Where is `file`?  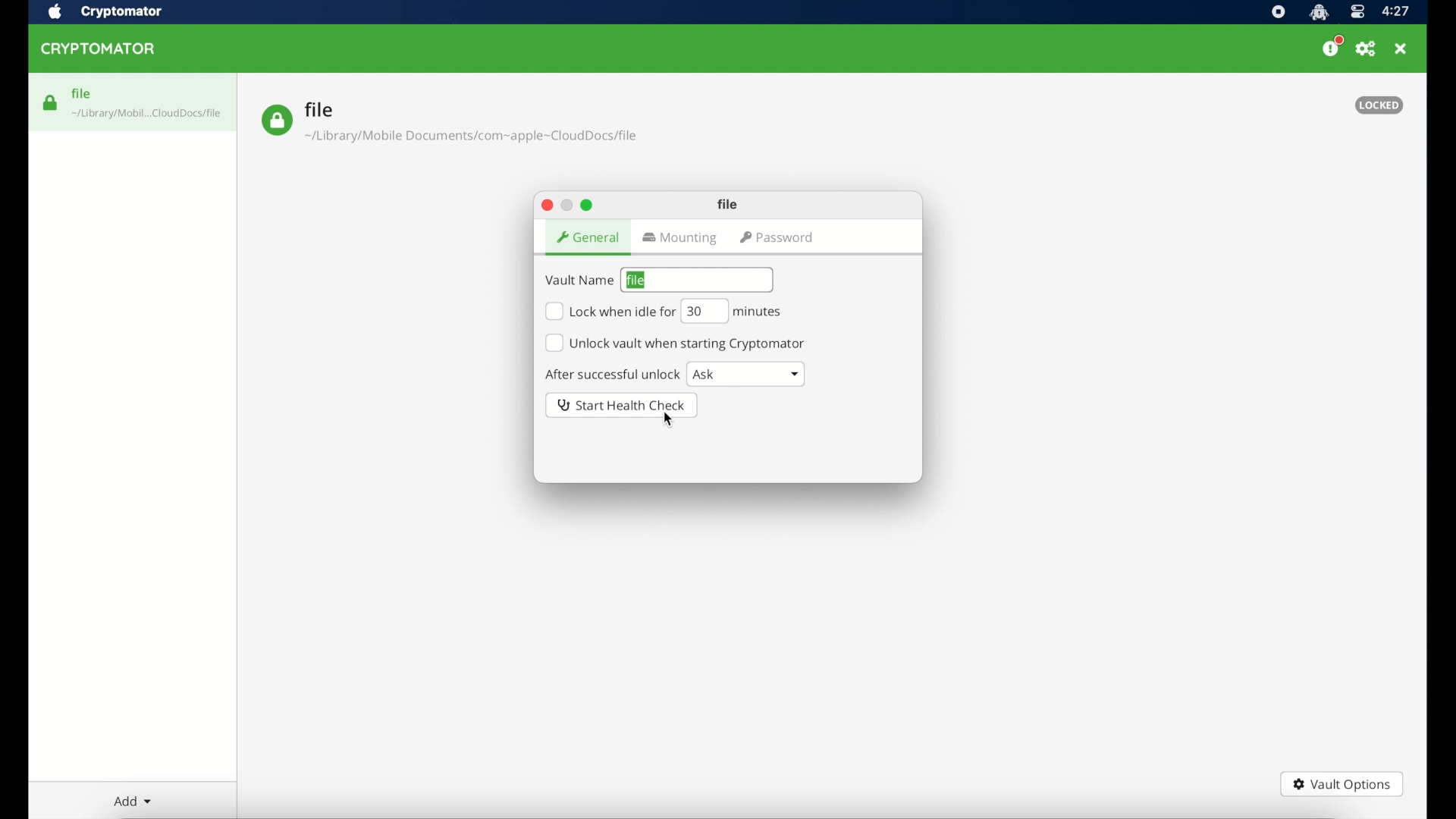 file is located at coordinates (449, 122).